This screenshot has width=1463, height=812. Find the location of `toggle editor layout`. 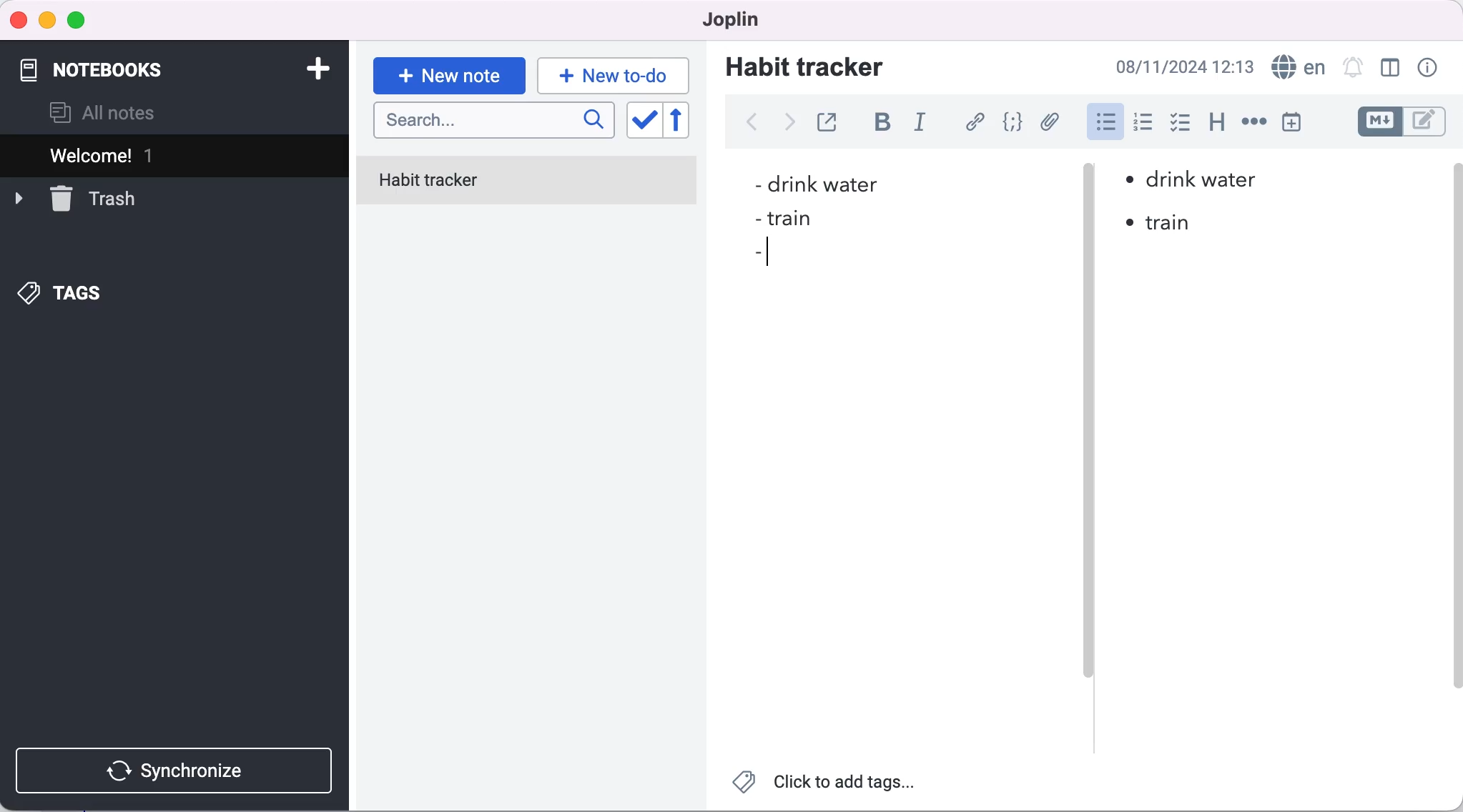

toggle editor layout is located at coordinates (1391, 68).